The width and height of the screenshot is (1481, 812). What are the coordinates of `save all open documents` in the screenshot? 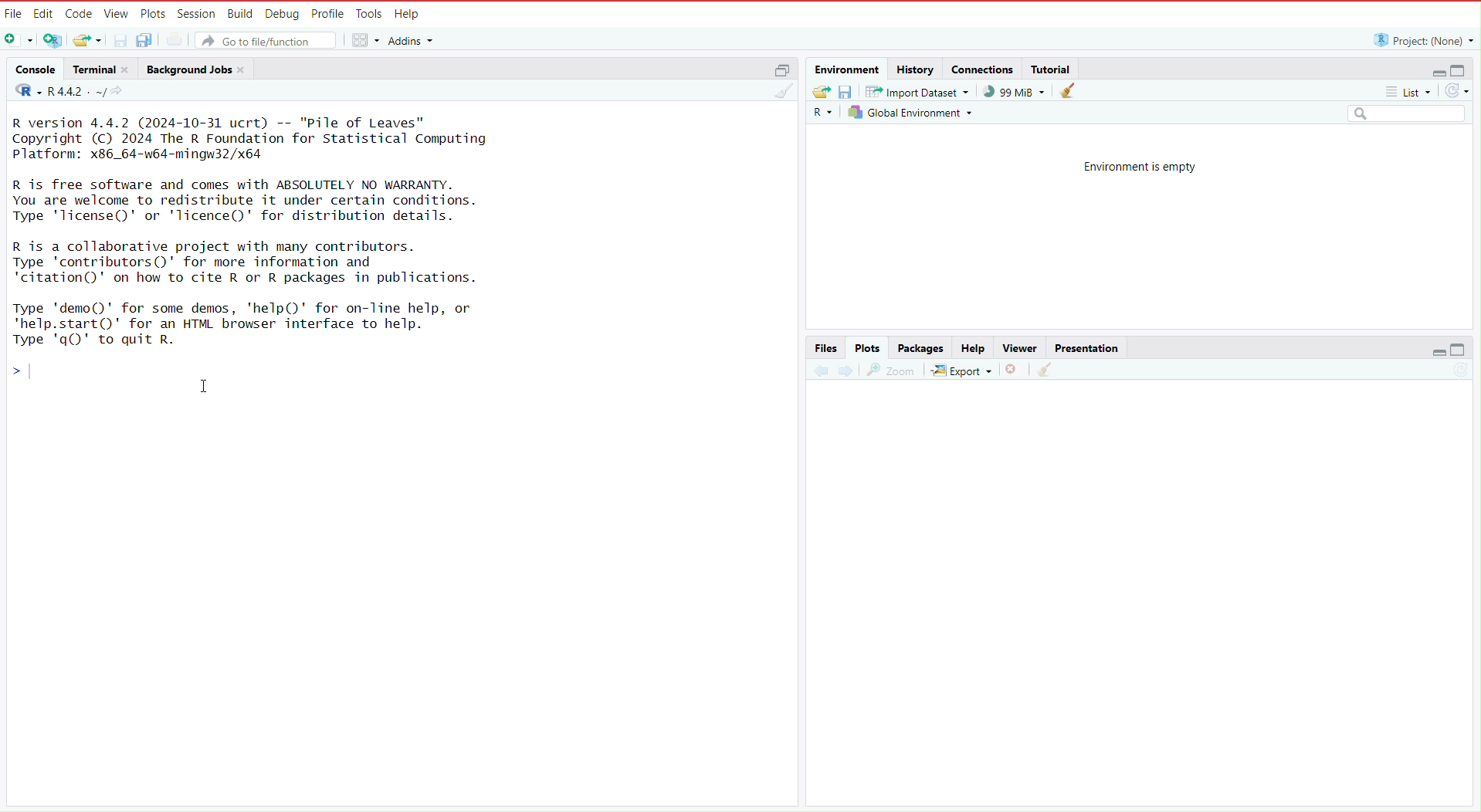 It's located at (147, 41).